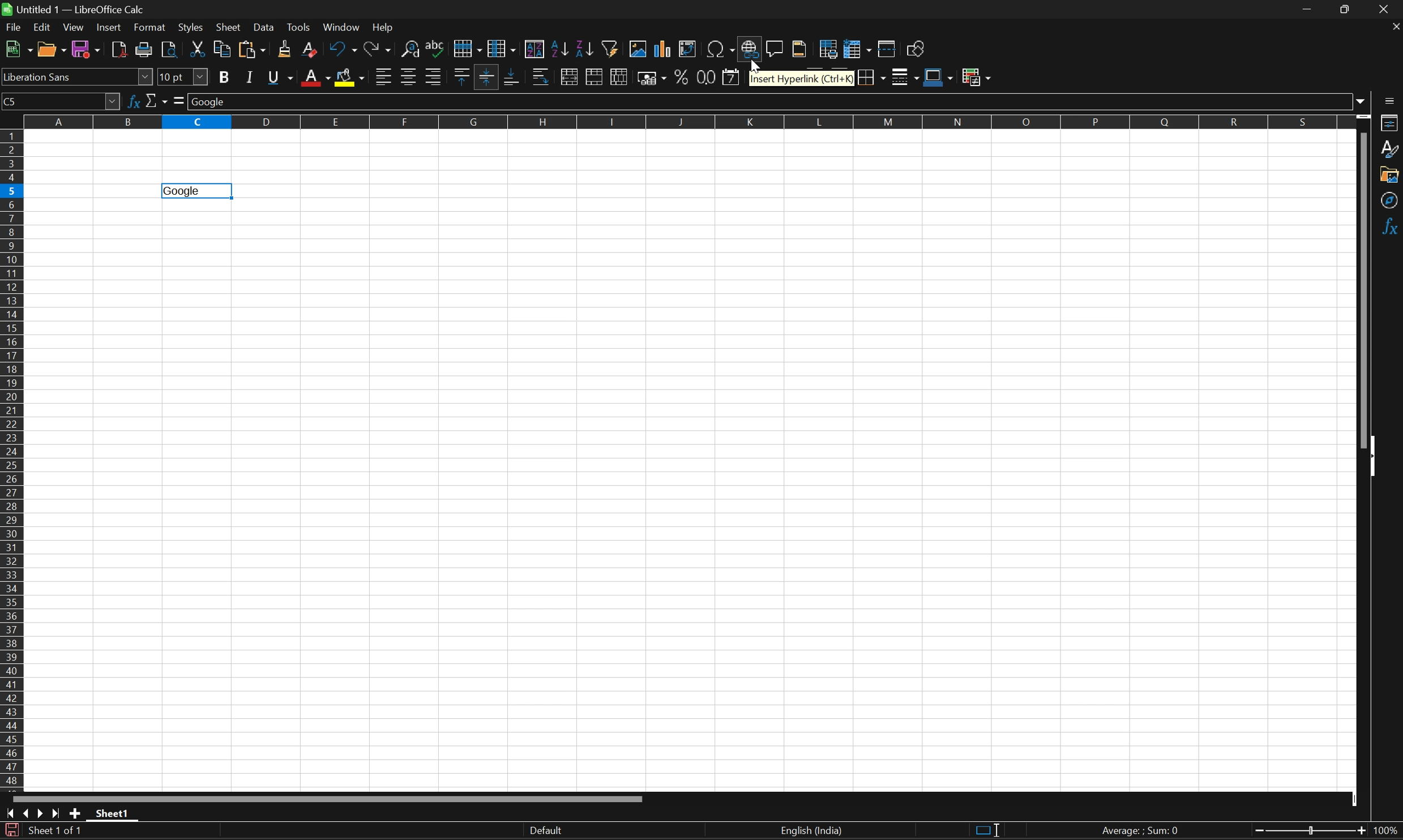 Image resolution: width=1403 pixels, height=840 pixels. I want to click on Slider, so click(1309, 832).